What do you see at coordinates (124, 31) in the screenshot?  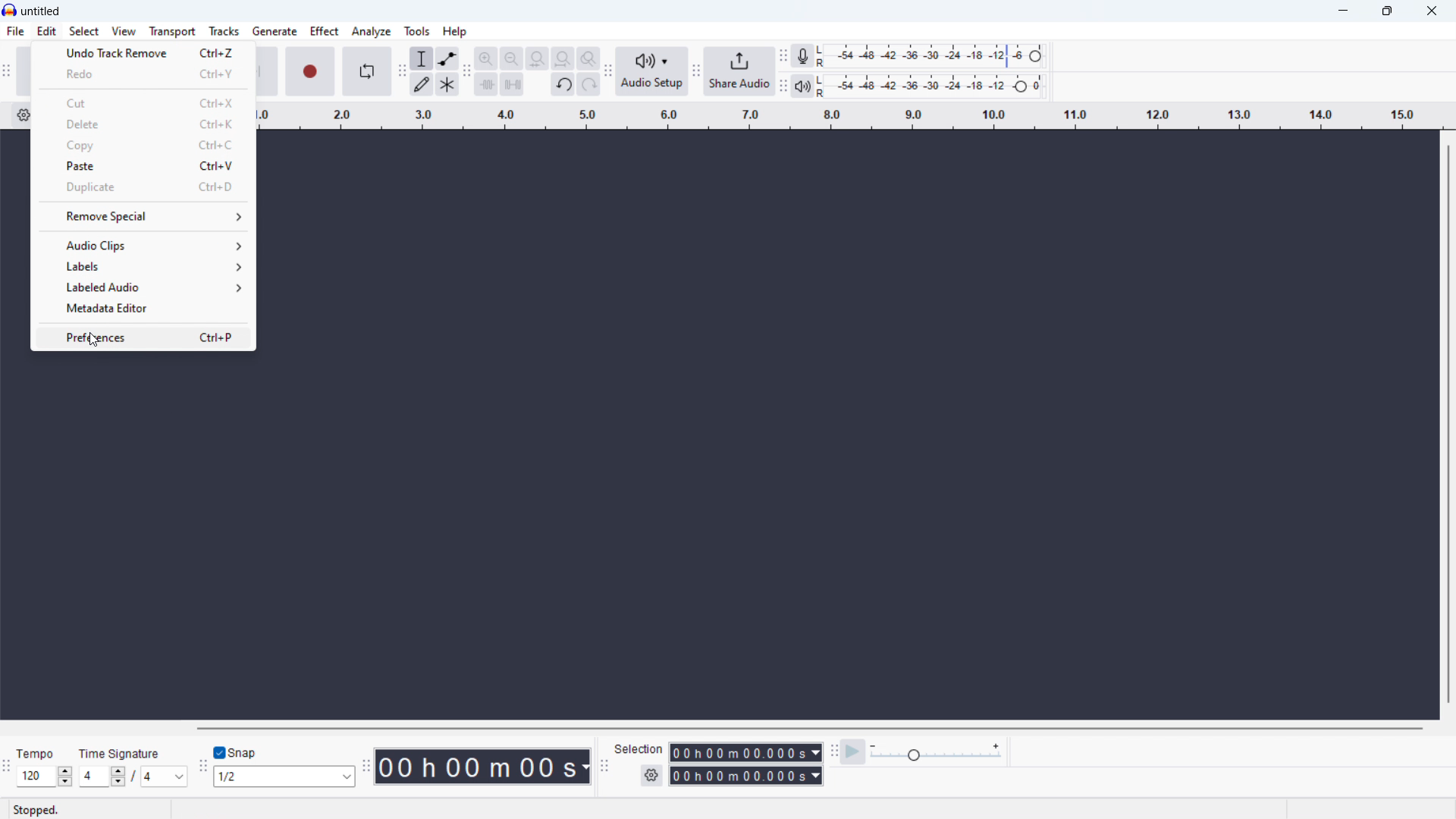 I see `view` at bounding box center [124, 31].